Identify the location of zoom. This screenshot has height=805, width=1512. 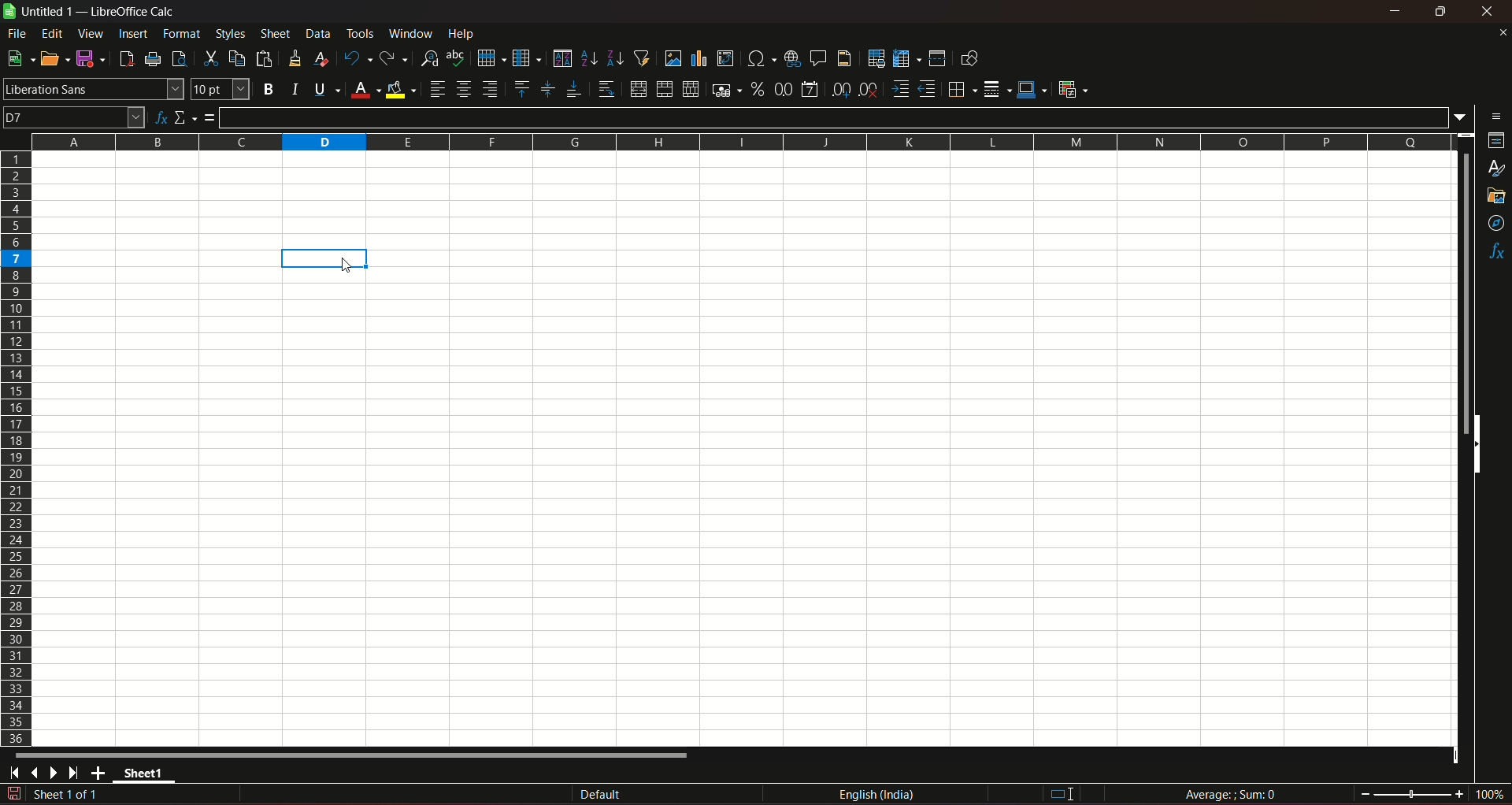
(1432, 792).